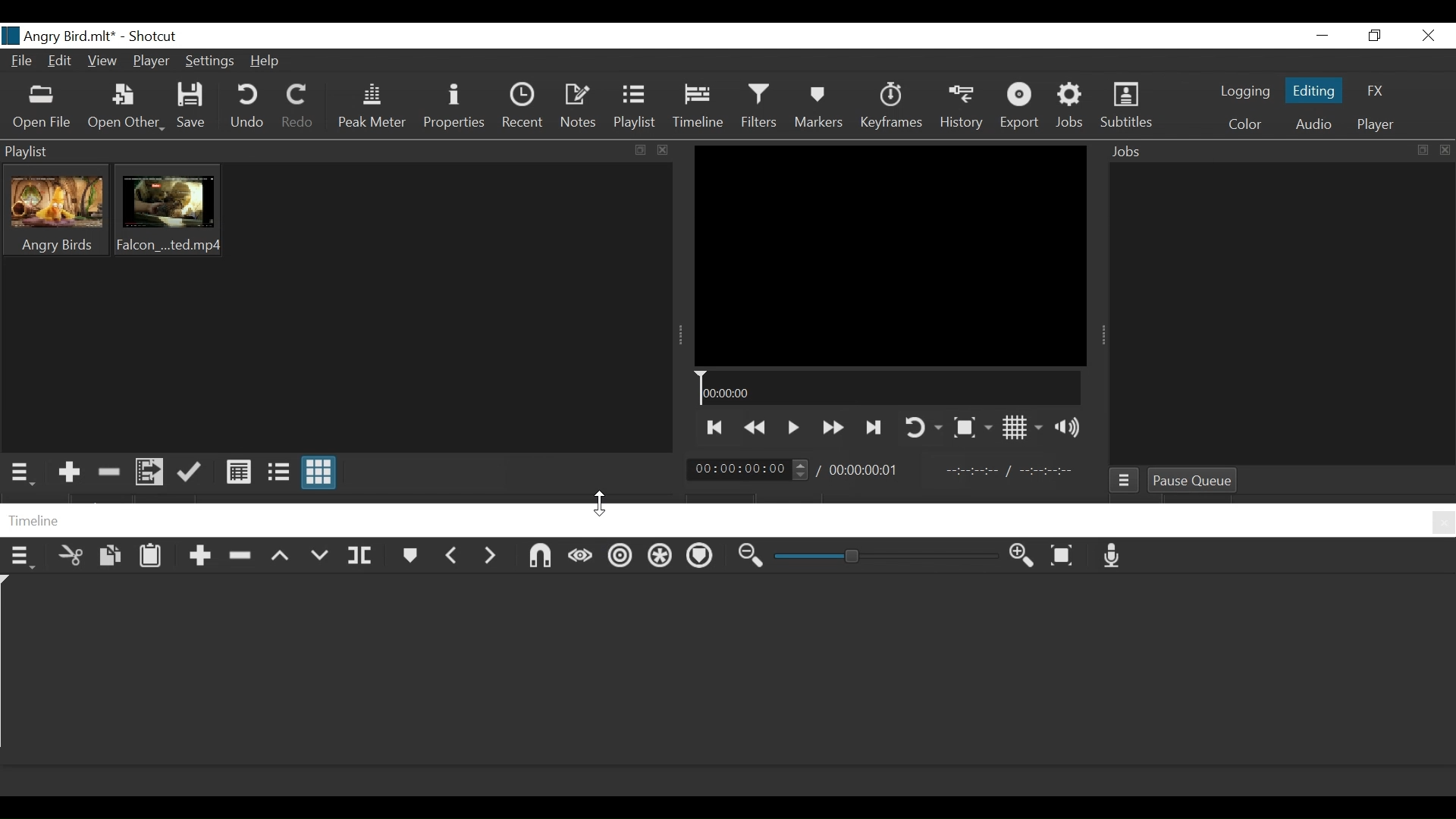  I want to click on Current position, so click(745, 470).